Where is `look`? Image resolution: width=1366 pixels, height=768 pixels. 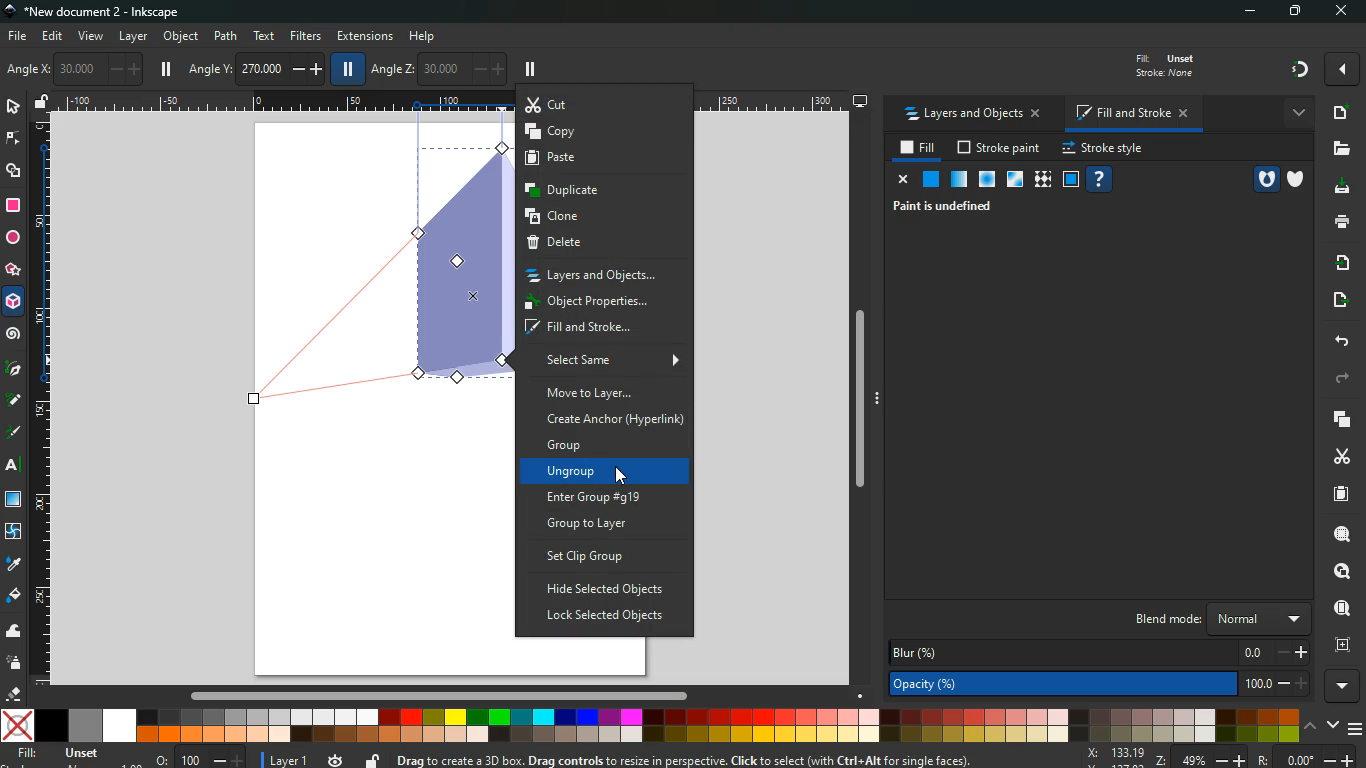 look is located at coordinates (1336, 572).